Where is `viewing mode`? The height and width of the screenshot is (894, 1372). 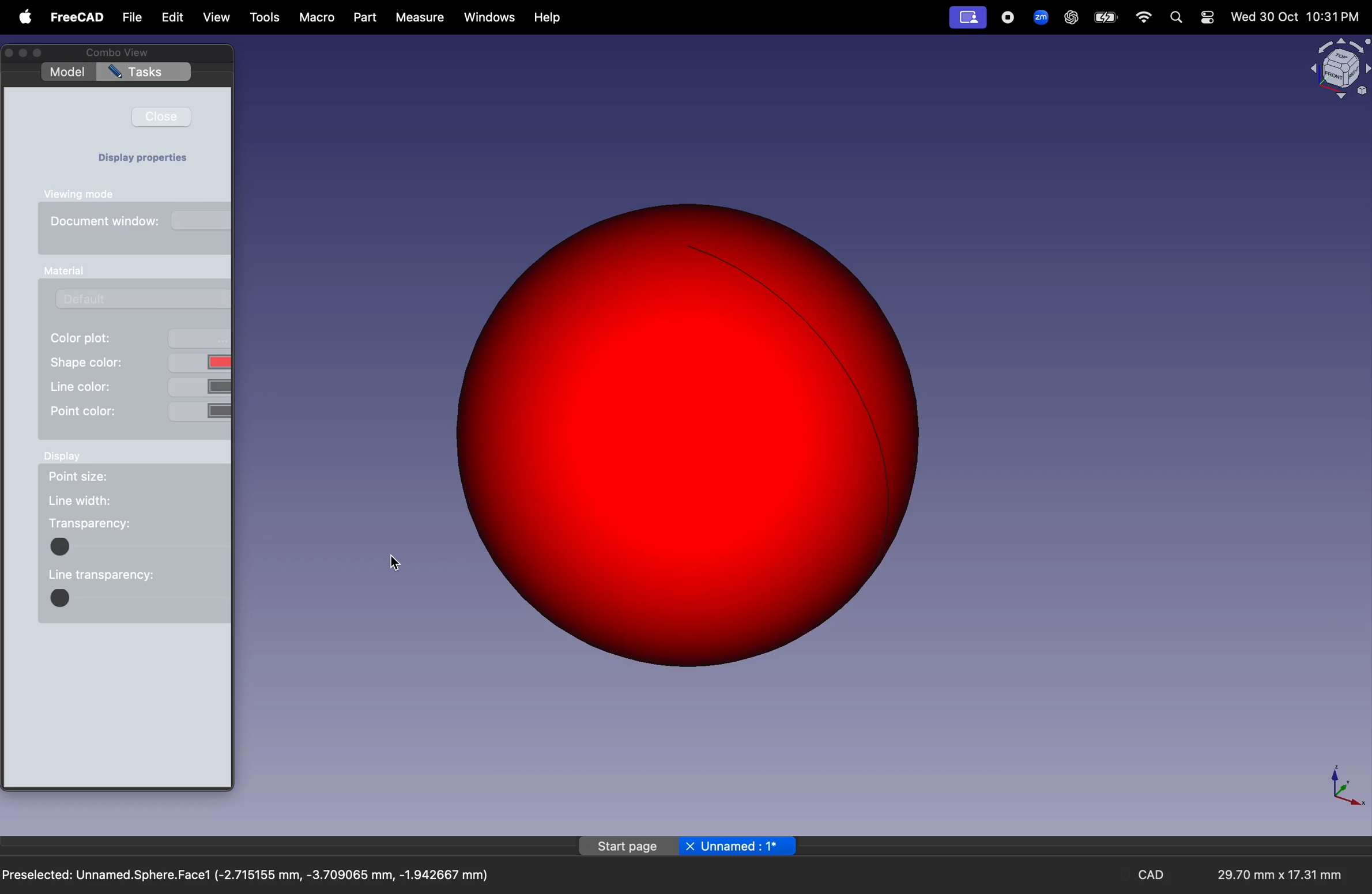
viewing mode is located at coordinates (84, 194).